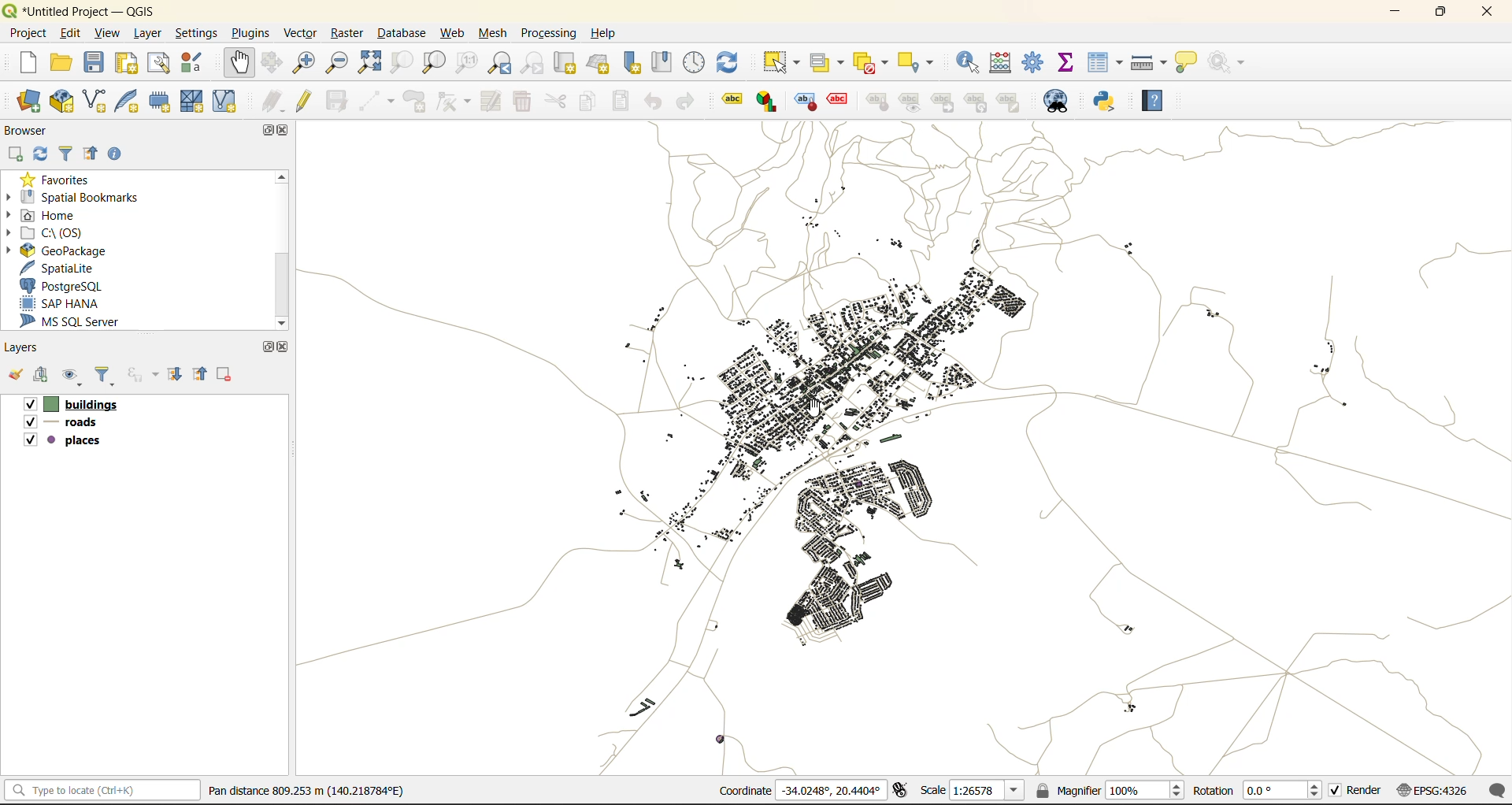 Image resolution: width=1512 pixels, height=805 pixels. What do you see at coordinates (202, 373) in the screenshot?
I see `collapse all` at bounding box center [202, 373].